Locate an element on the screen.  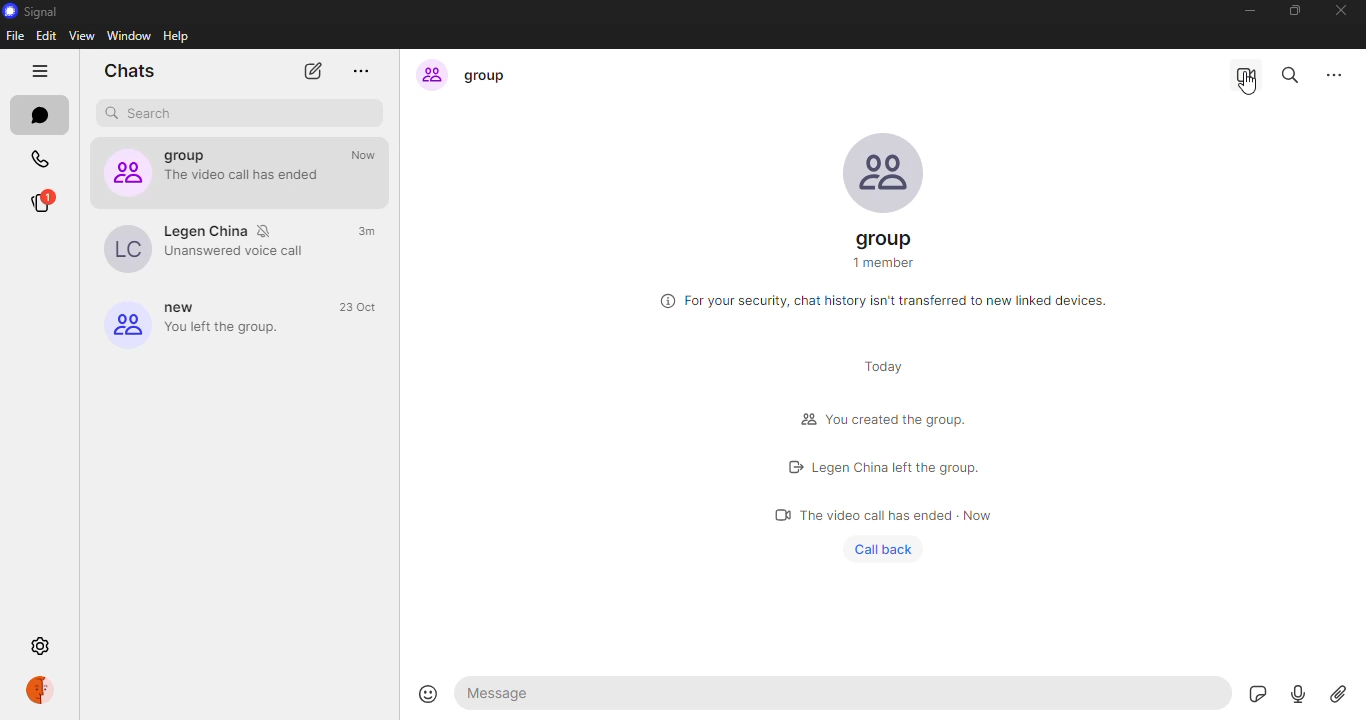
The video call has ended - Now is located at coordinates (900, 515).